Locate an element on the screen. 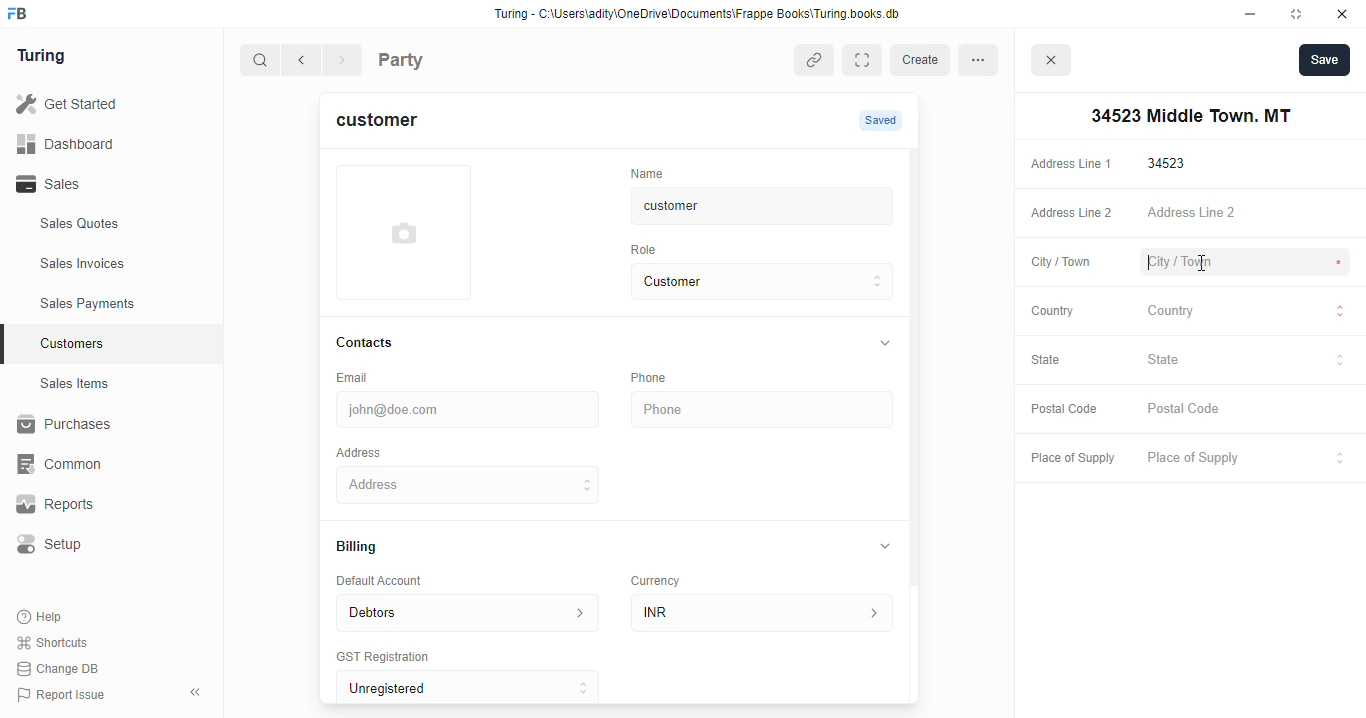  minimise is located at coordinates (1251, 14).